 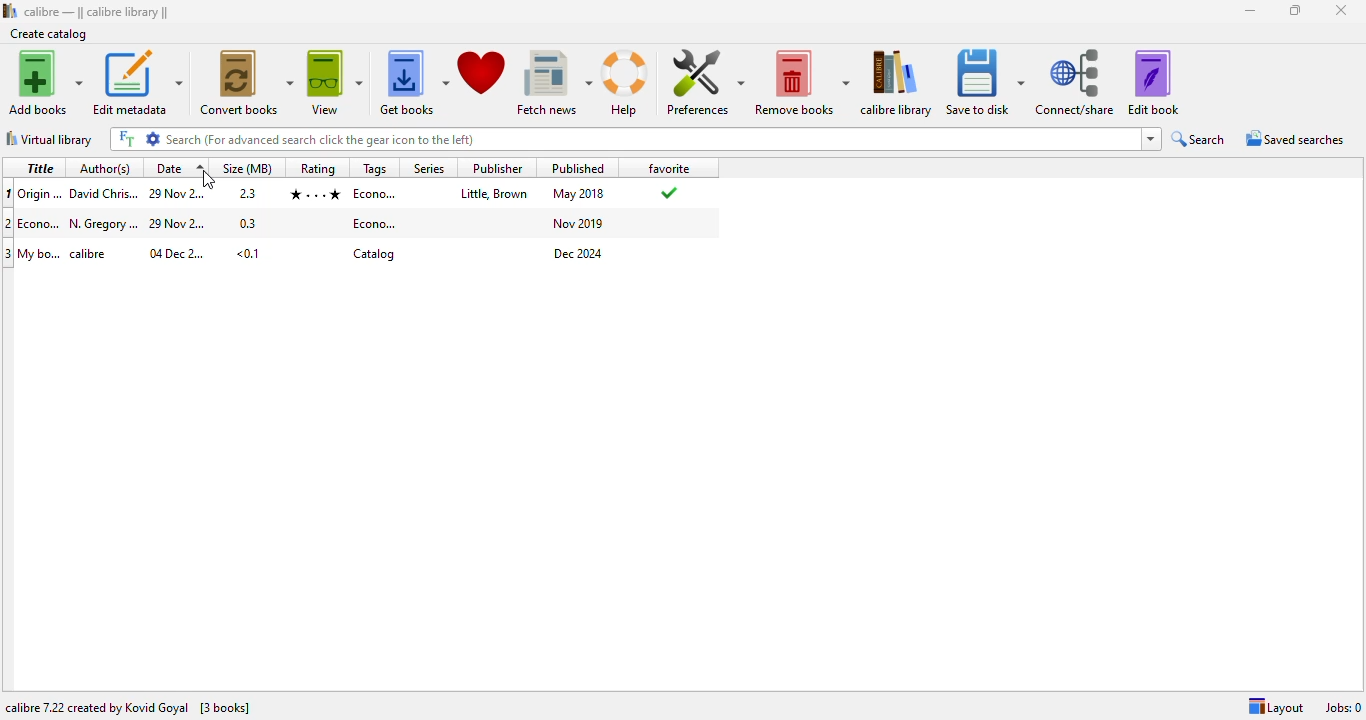 What do you see at coordinates (555, 83) in the screenshot?
I see `fetch news` at bounding box center [555, 83].